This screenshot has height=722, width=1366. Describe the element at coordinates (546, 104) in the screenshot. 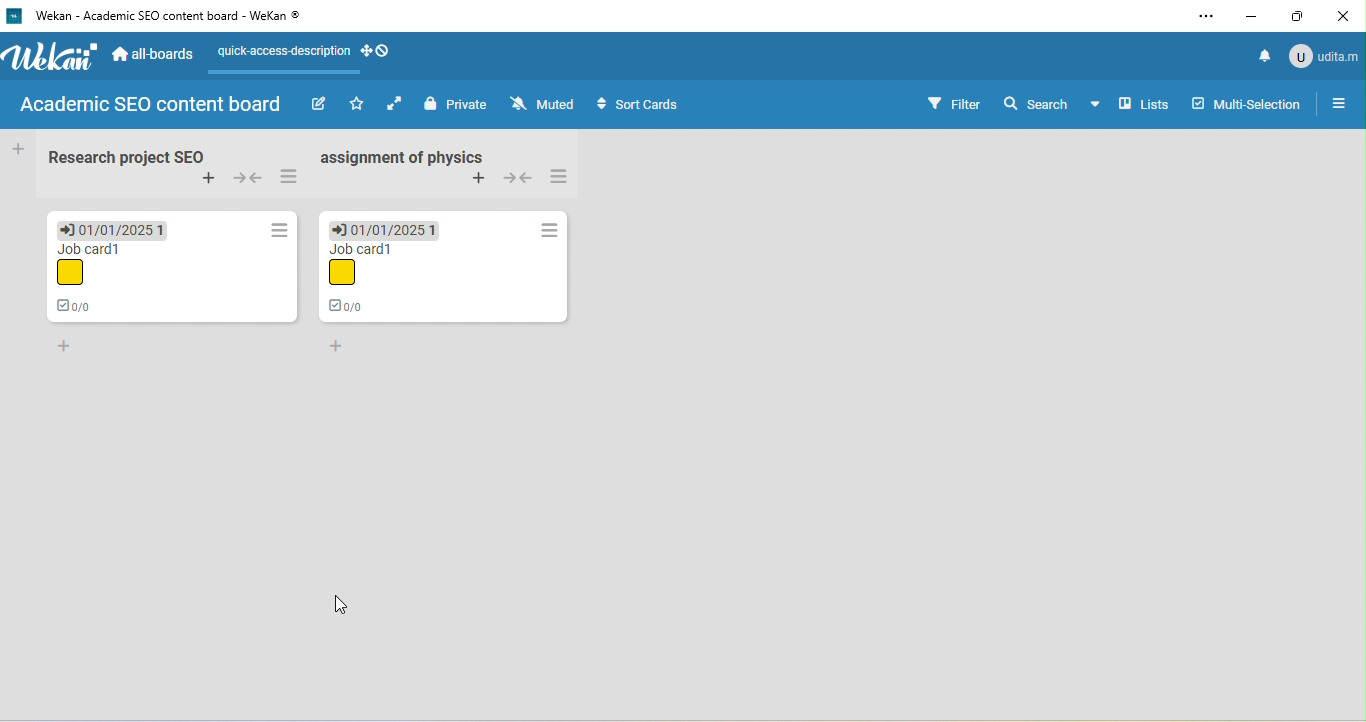

I see `muted` at that location.